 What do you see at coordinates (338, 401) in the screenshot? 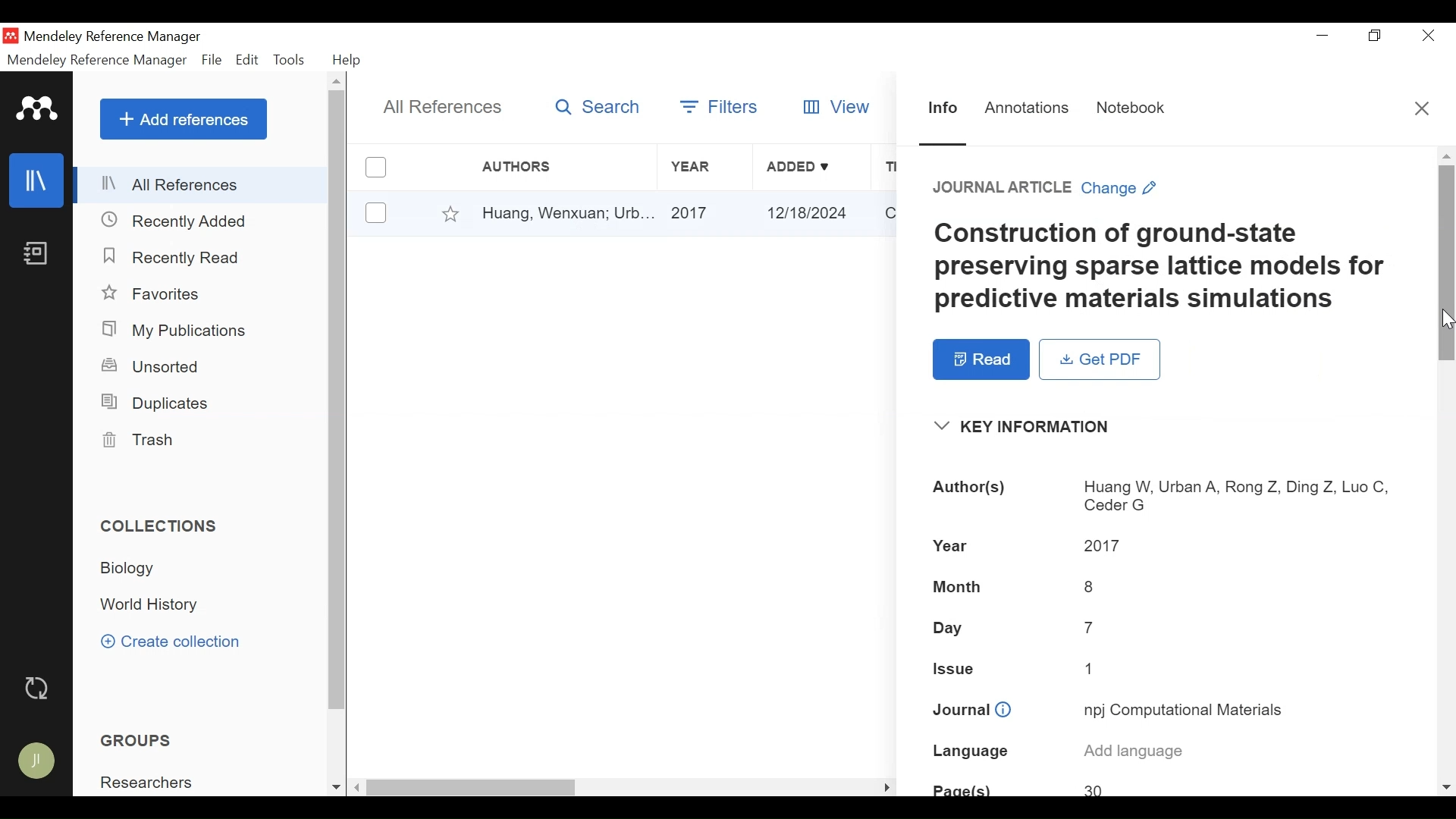
I see `Vertical Scroll bar` at bounding box center [338, 401].